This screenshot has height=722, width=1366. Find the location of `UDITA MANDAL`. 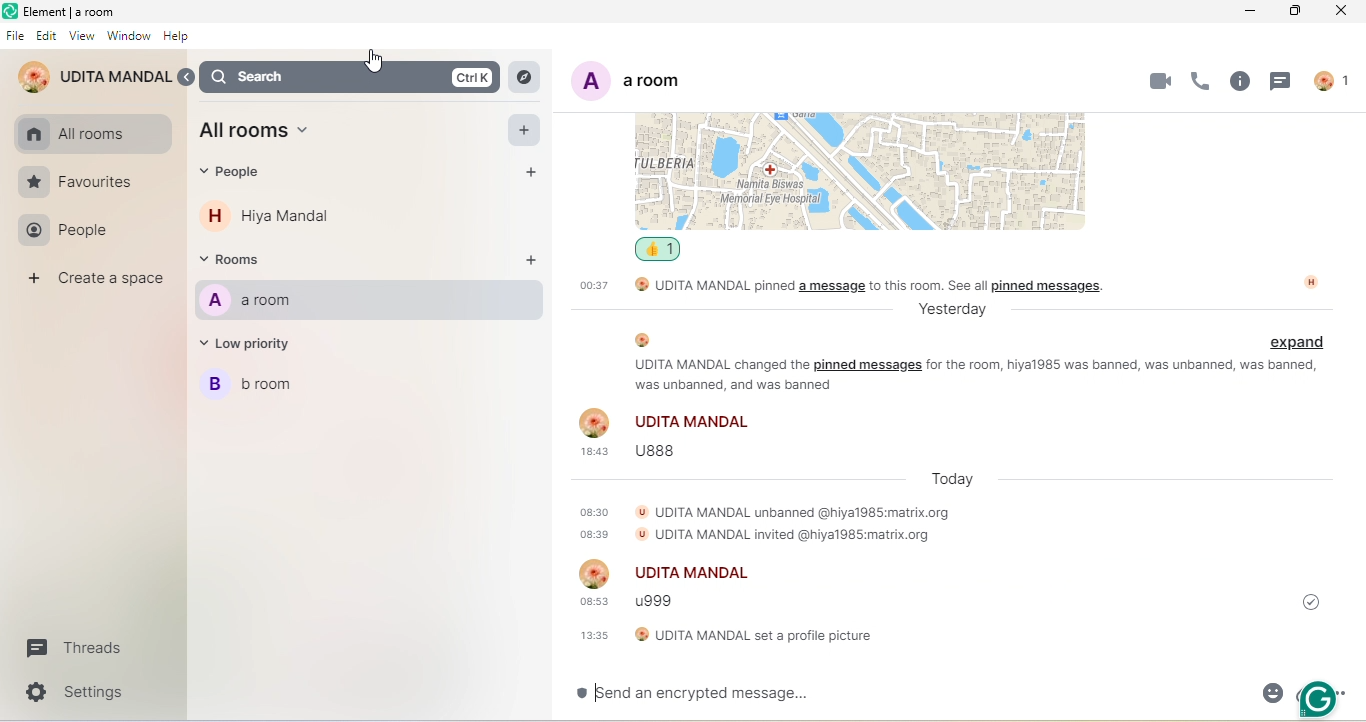

UDITA MANDAL is located at coordinates (92, 76).